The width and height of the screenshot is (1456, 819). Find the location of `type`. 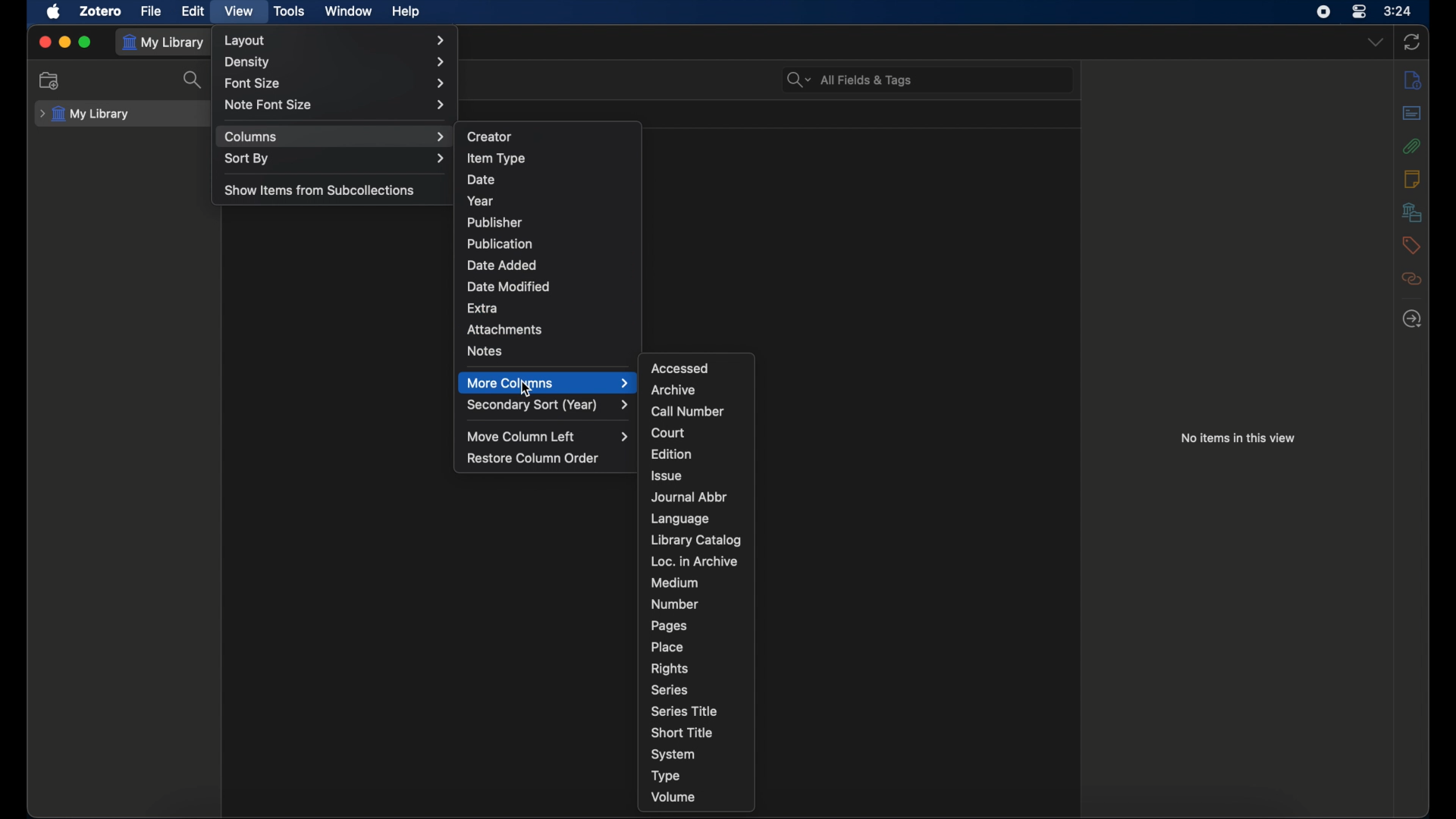

type is located at coordinates (665, 776).